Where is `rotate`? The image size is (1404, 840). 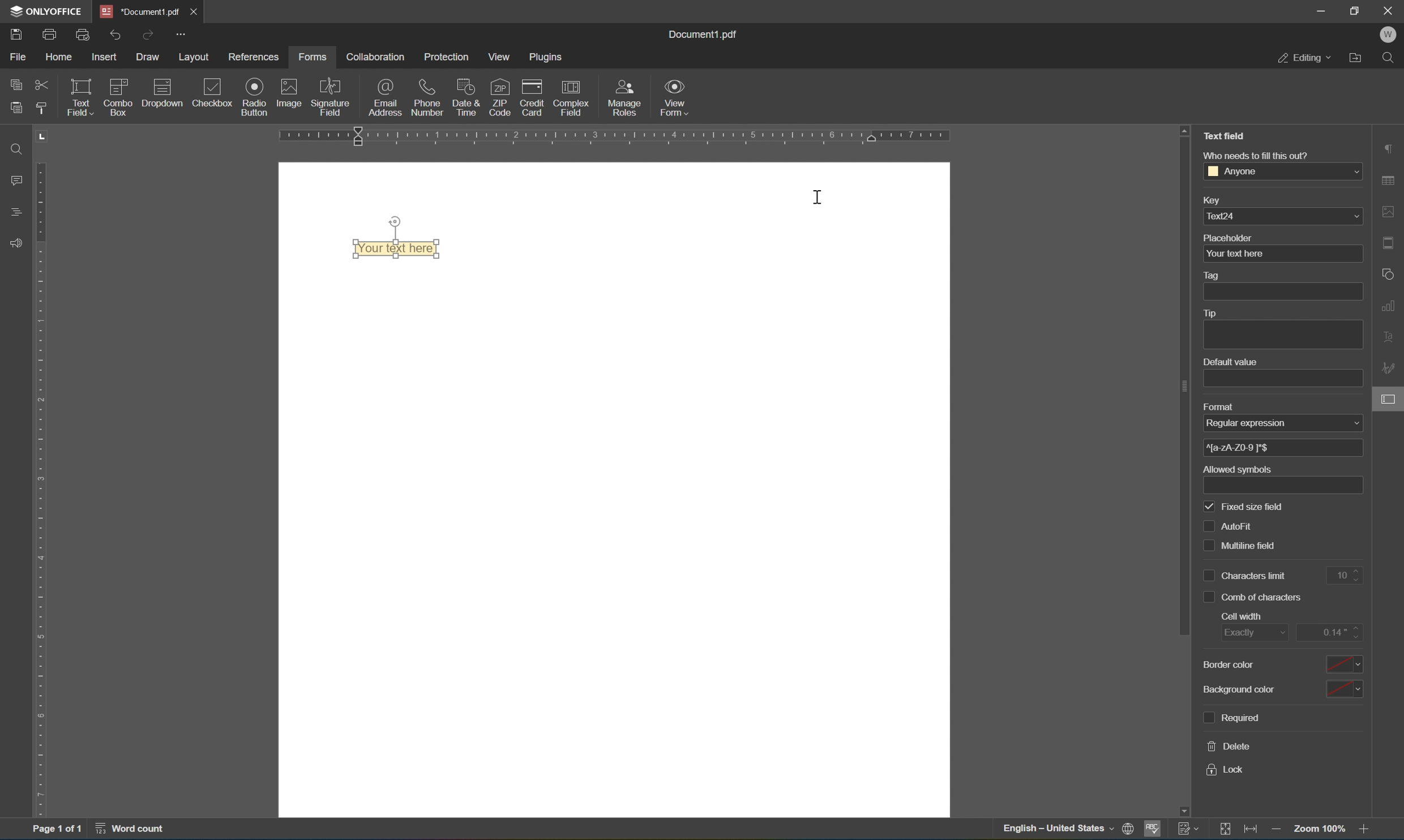
rotate is located at coordinates (395, 221).